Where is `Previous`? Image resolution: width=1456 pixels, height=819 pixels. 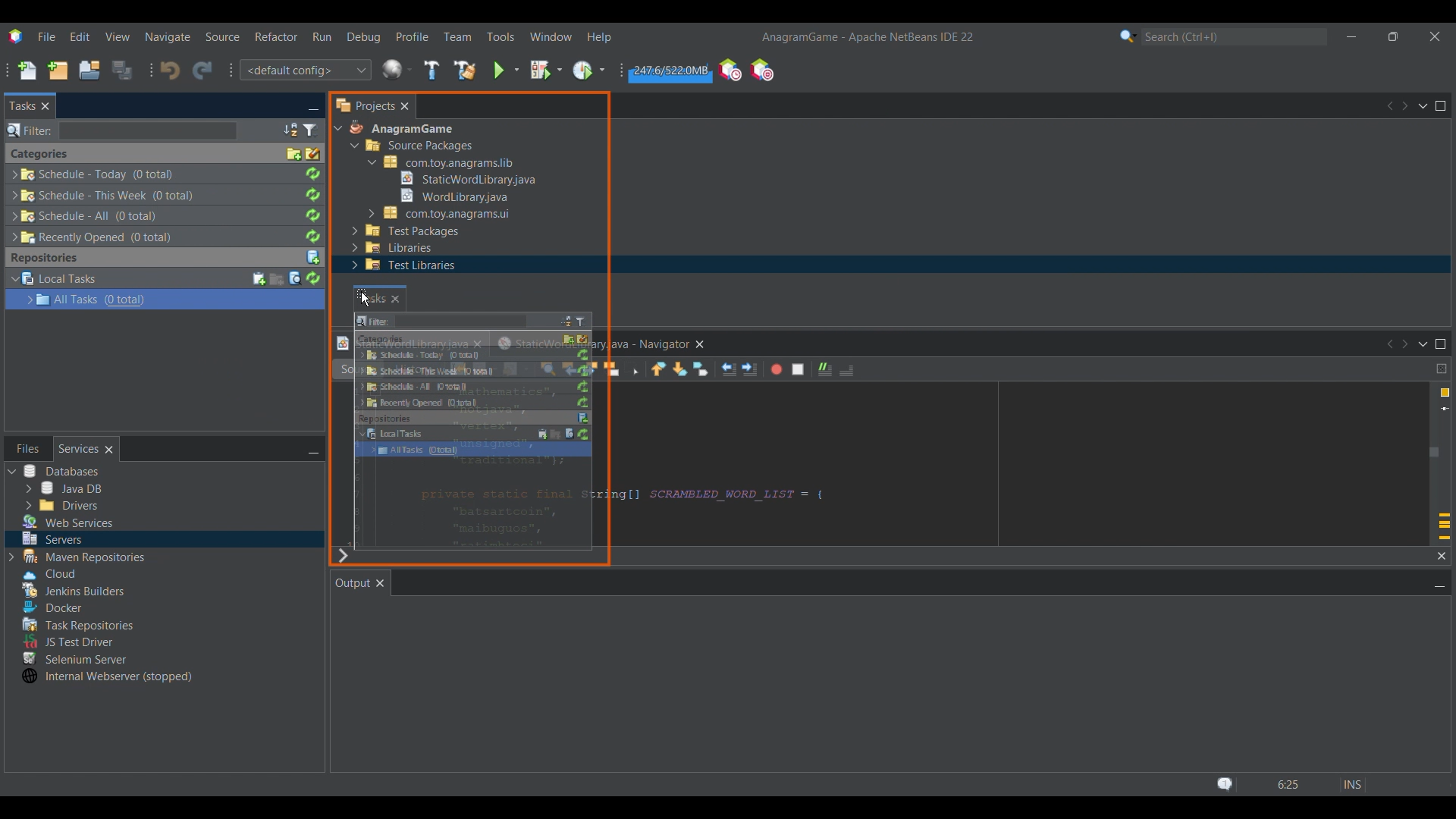
Previous is located at coordinates (1389, 106).